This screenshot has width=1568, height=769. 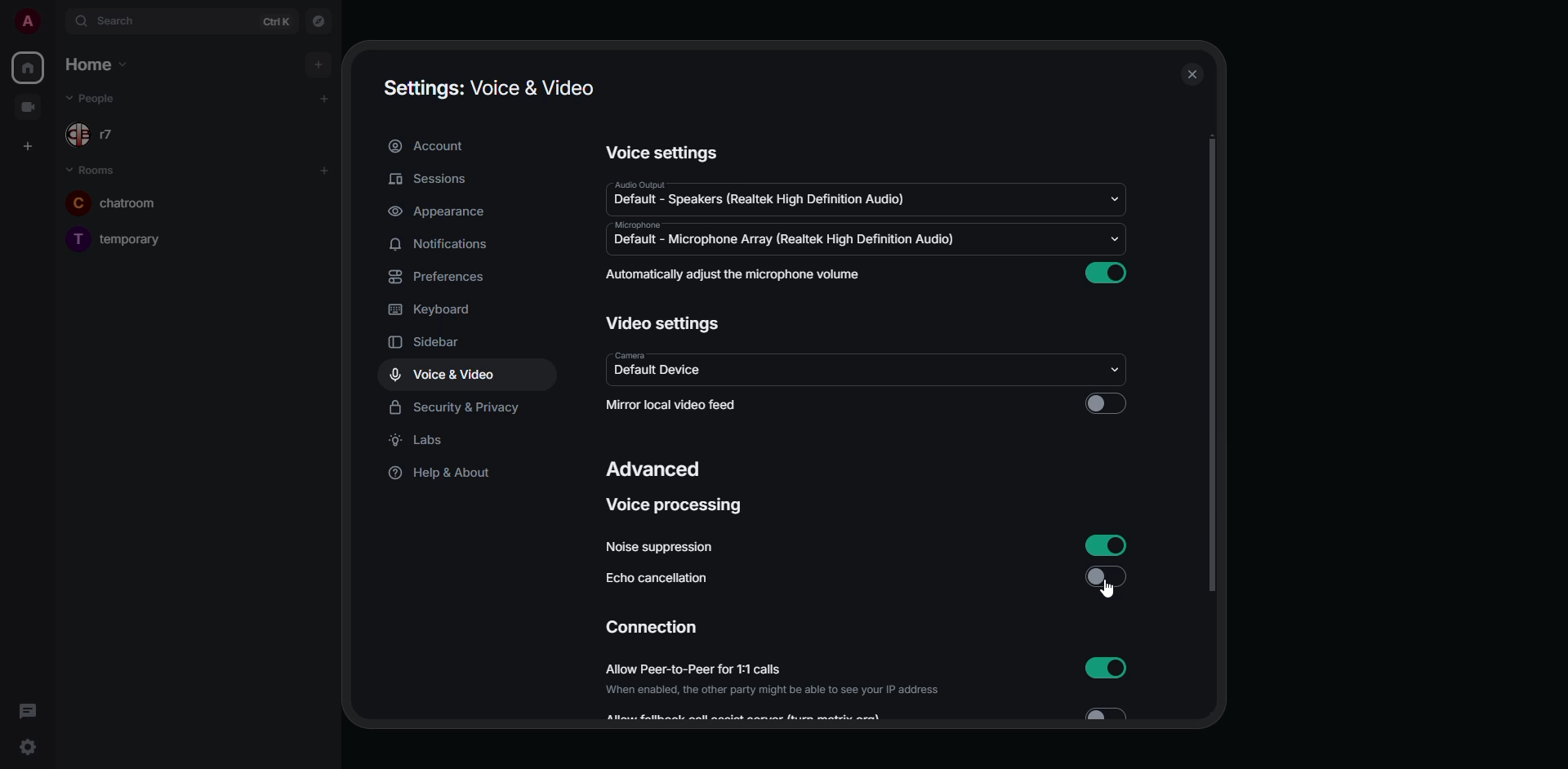 I want to click on add, so click(x=325, y=96).